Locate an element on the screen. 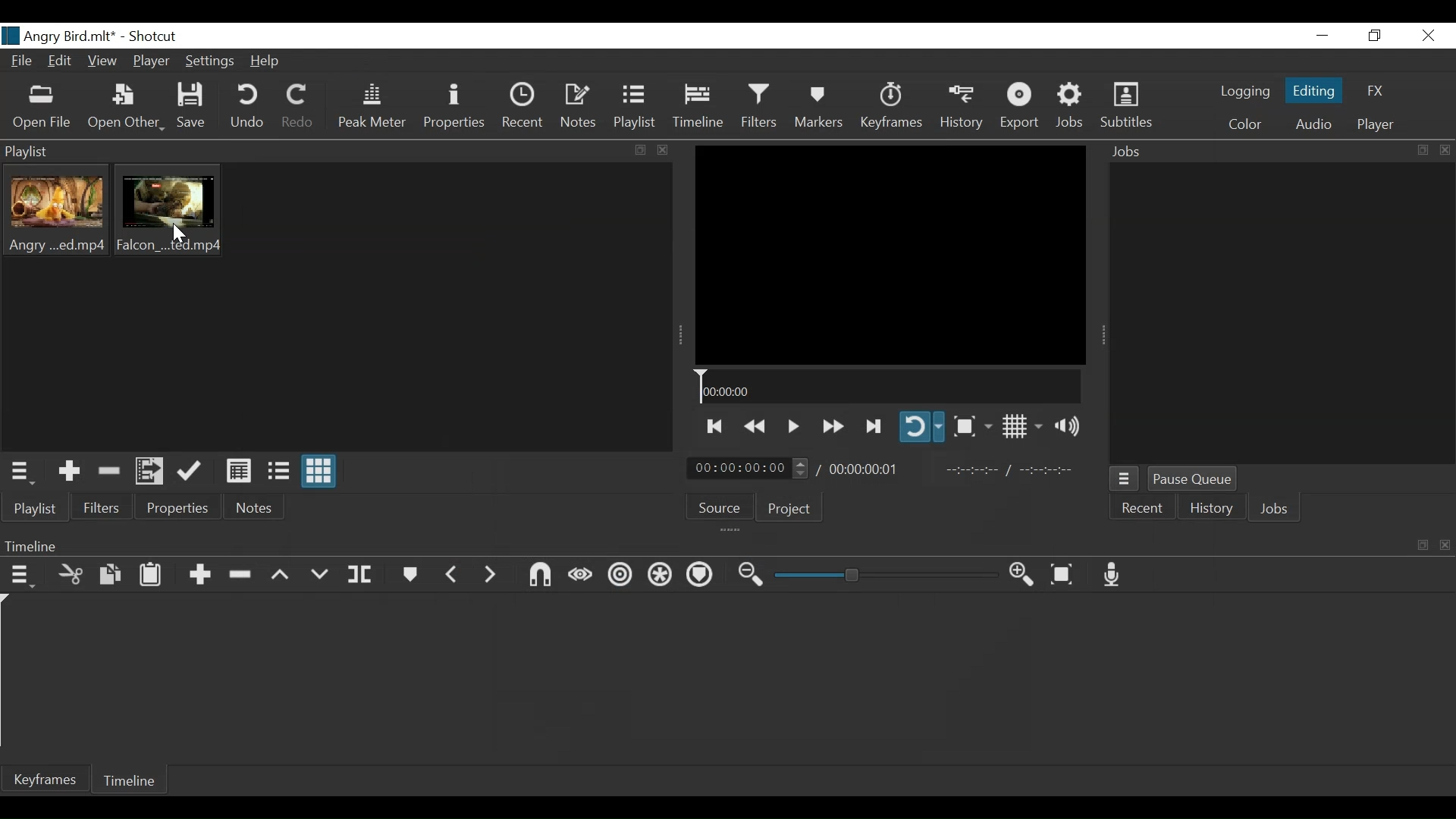  Zoom timeline out is located at coordinates (753, 575).